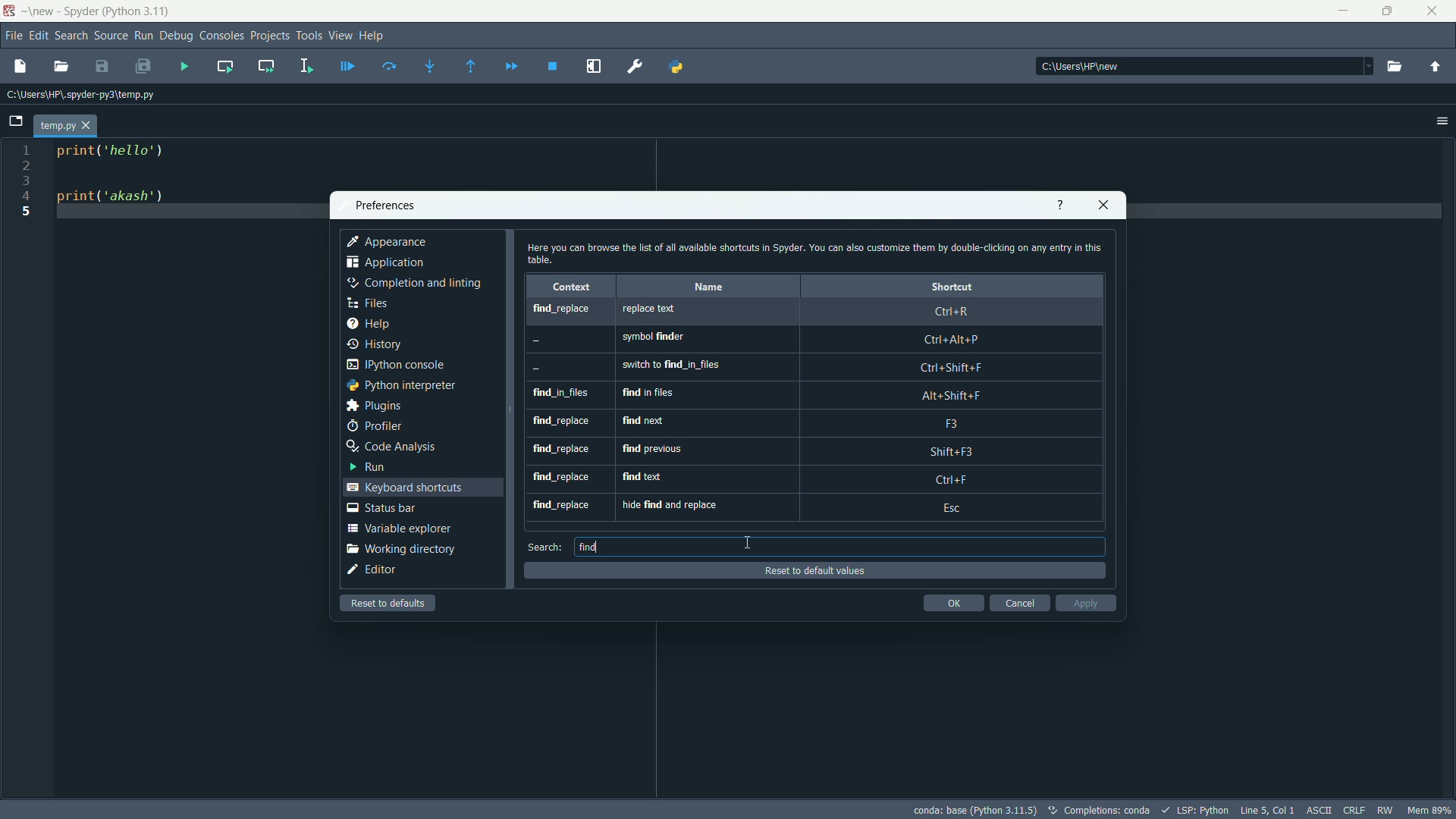 The image size is (1456, 819). Describe the element at coordinates (509, 65) in the screenshot. I see `continue execution untill next break point` at that location.